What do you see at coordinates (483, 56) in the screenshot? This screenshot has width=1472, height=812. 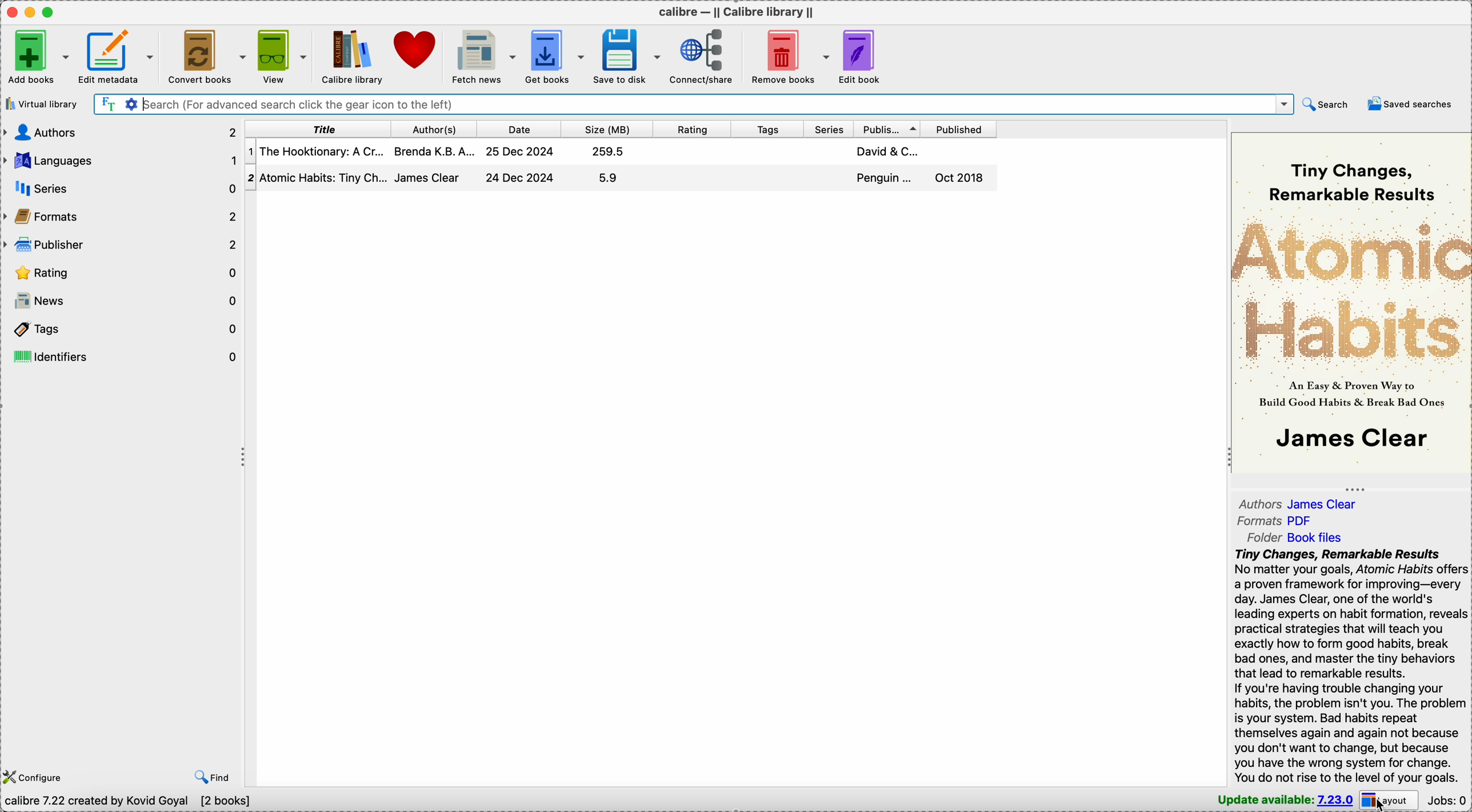 I see `fetch news` at bounding box center [483, 56].